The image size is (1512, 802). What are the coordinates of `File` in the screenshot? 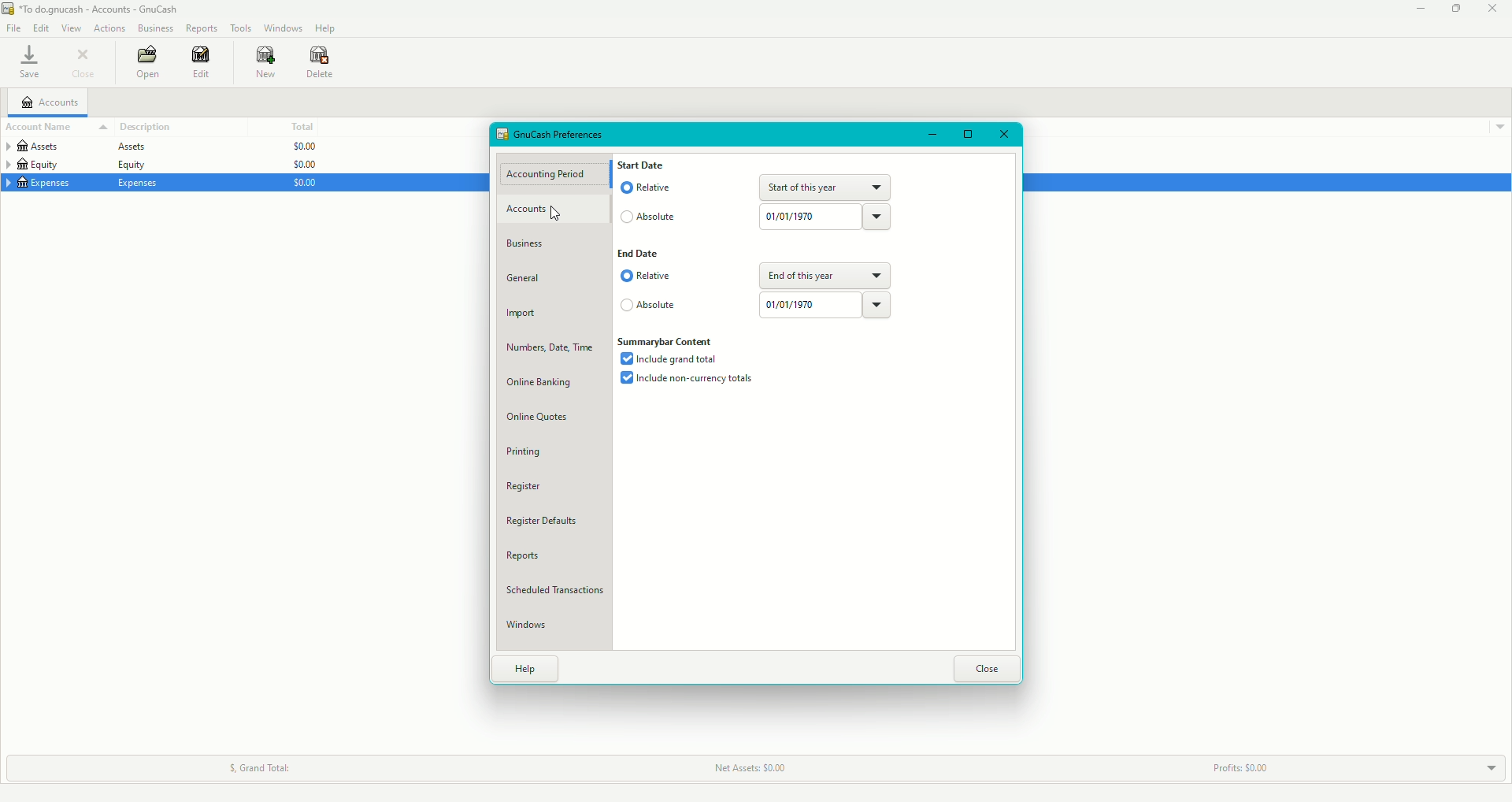 It's located at (13, 27).